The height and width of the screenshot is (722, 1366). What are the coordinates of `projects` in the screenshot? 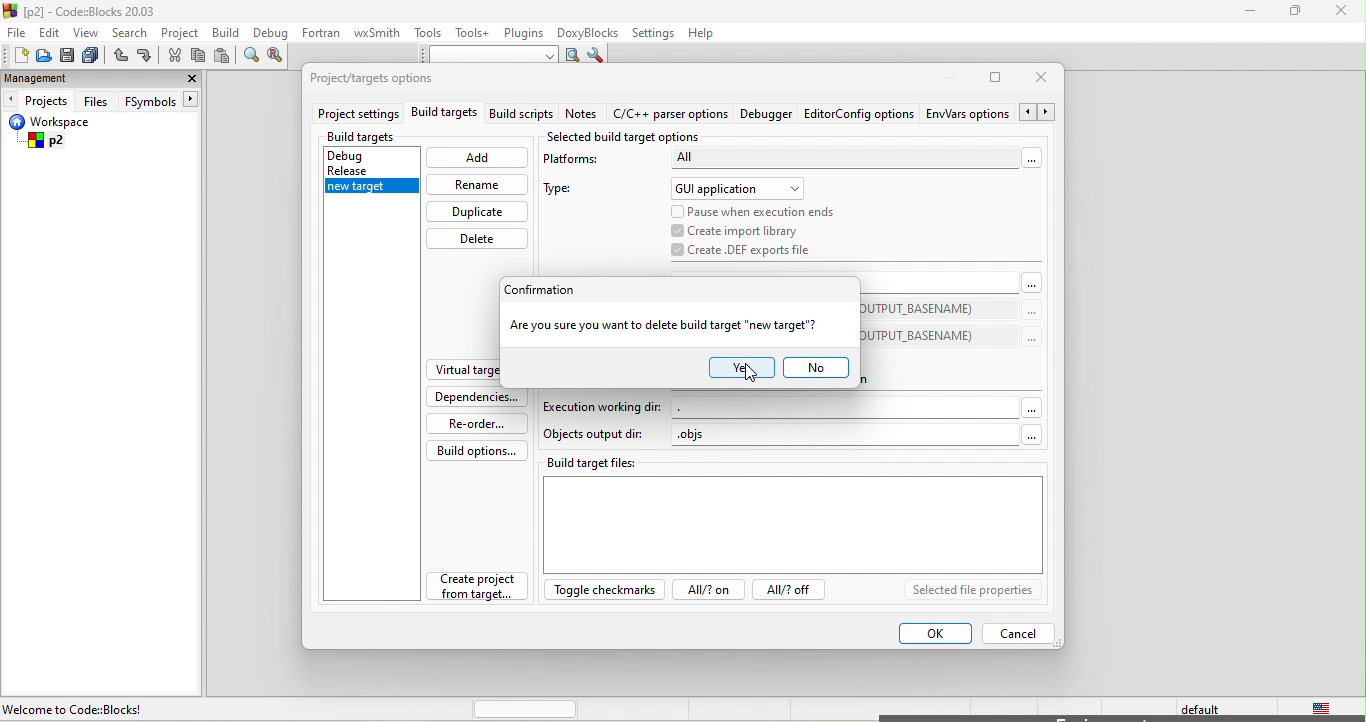 It's located at (39, 101).